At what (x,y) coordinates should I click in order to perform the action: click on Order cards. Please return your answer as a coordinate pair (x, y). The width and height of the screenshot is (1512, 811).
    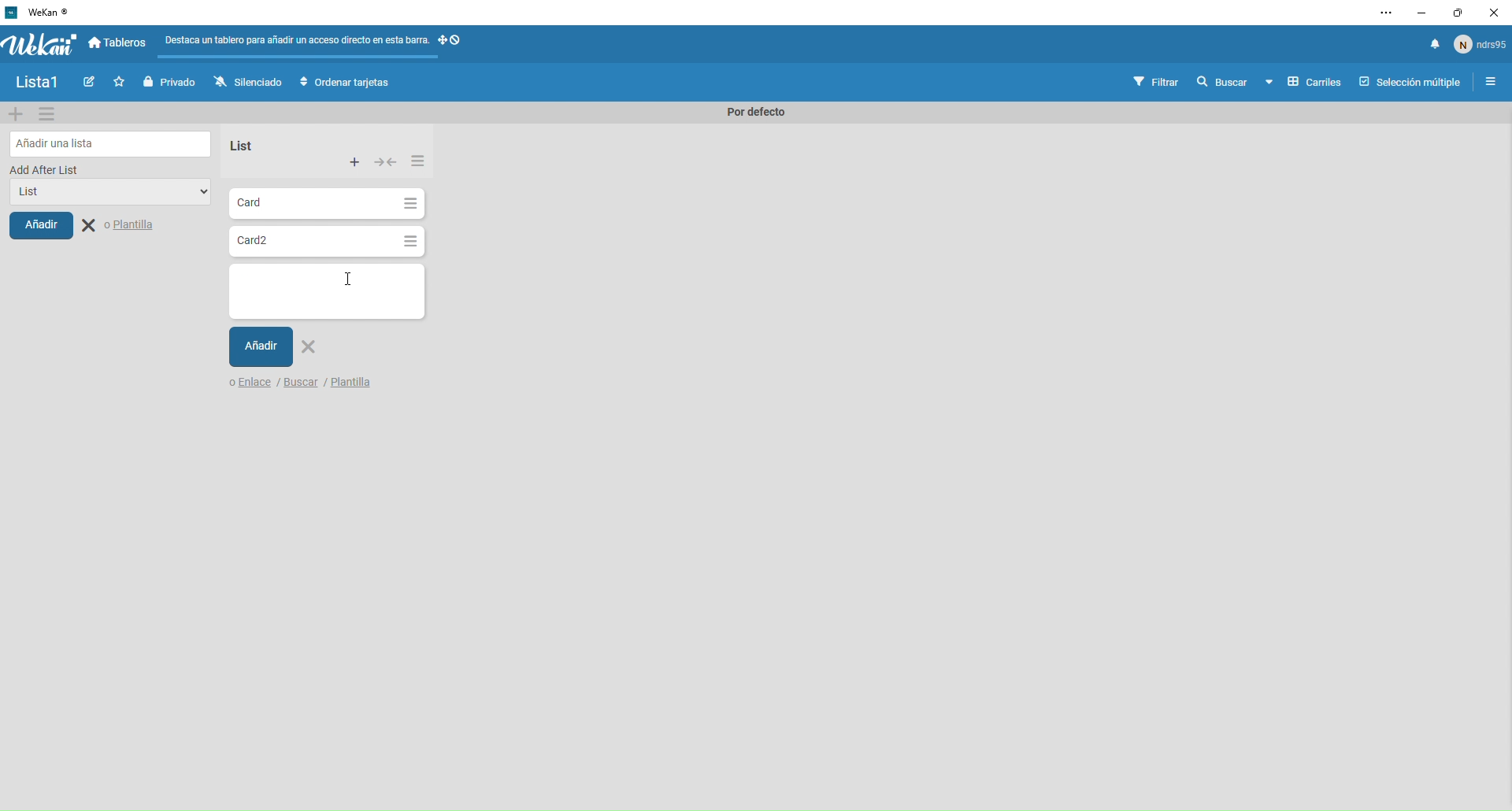
    Looking at the image, I should click on (345, 83).